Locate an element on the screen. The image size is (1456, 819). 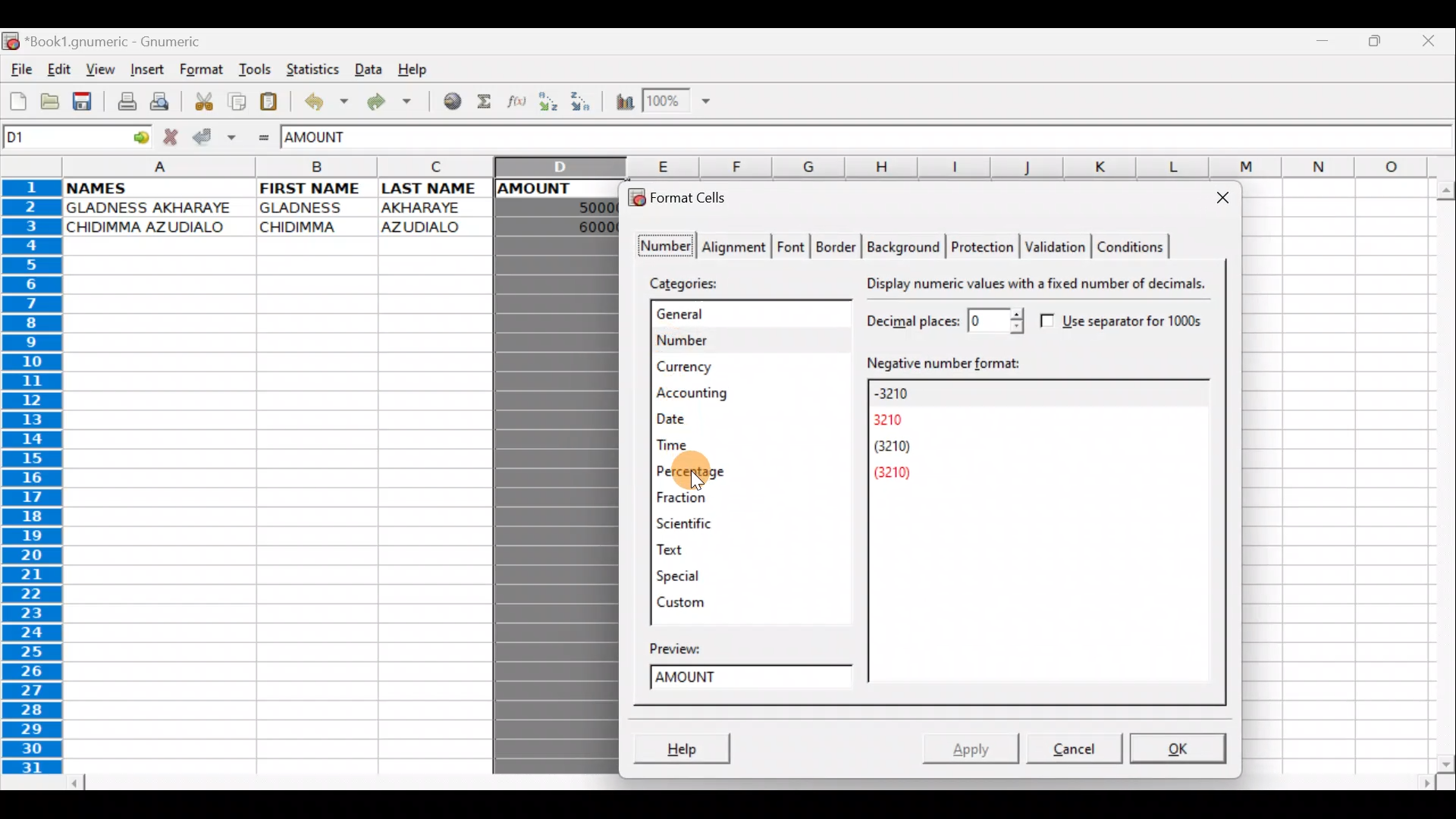
Gnumeric logo is located at coordinates (11, 41).